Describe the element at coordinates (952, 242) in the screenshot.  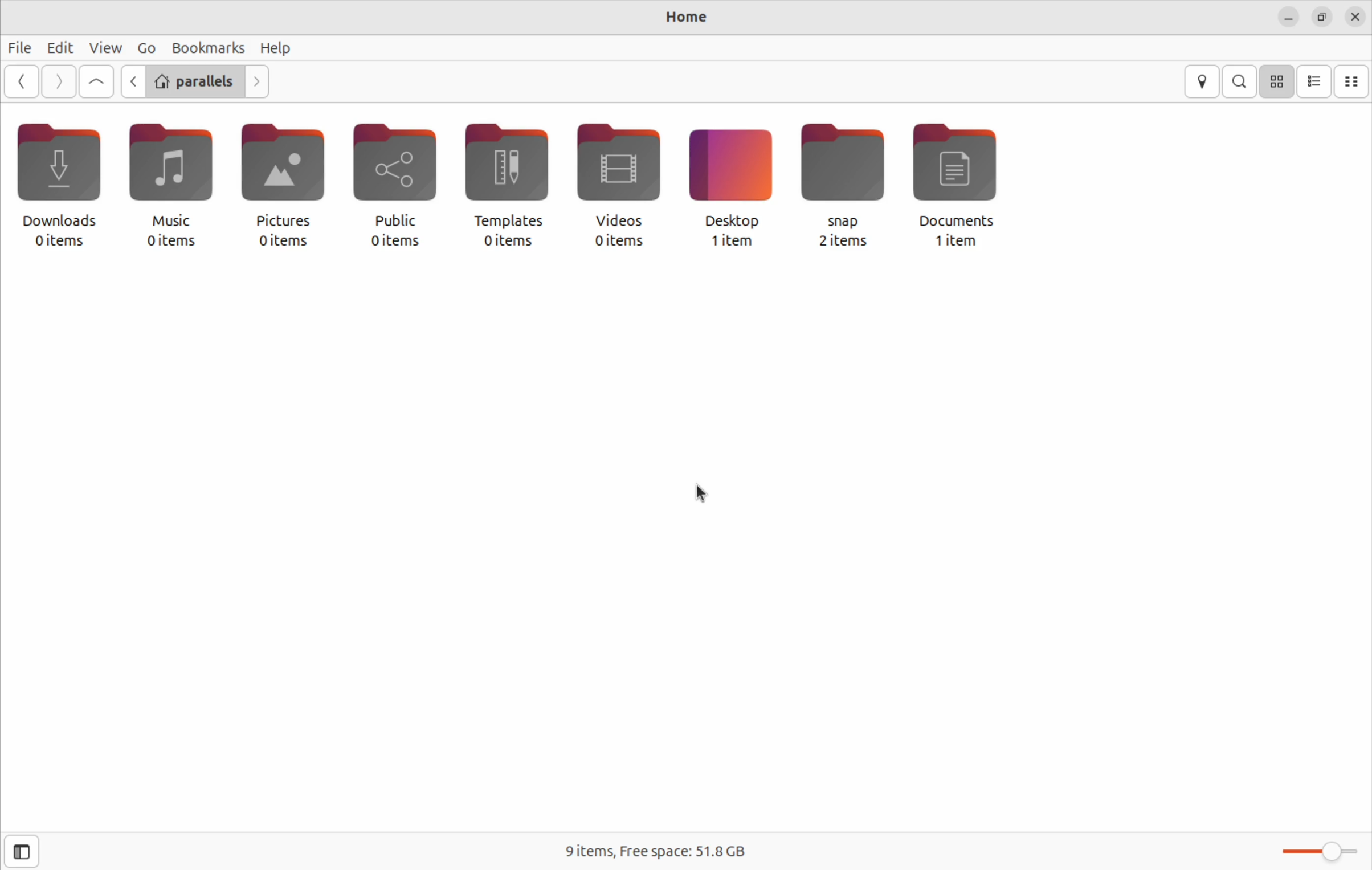
I see `1 item` at that location.